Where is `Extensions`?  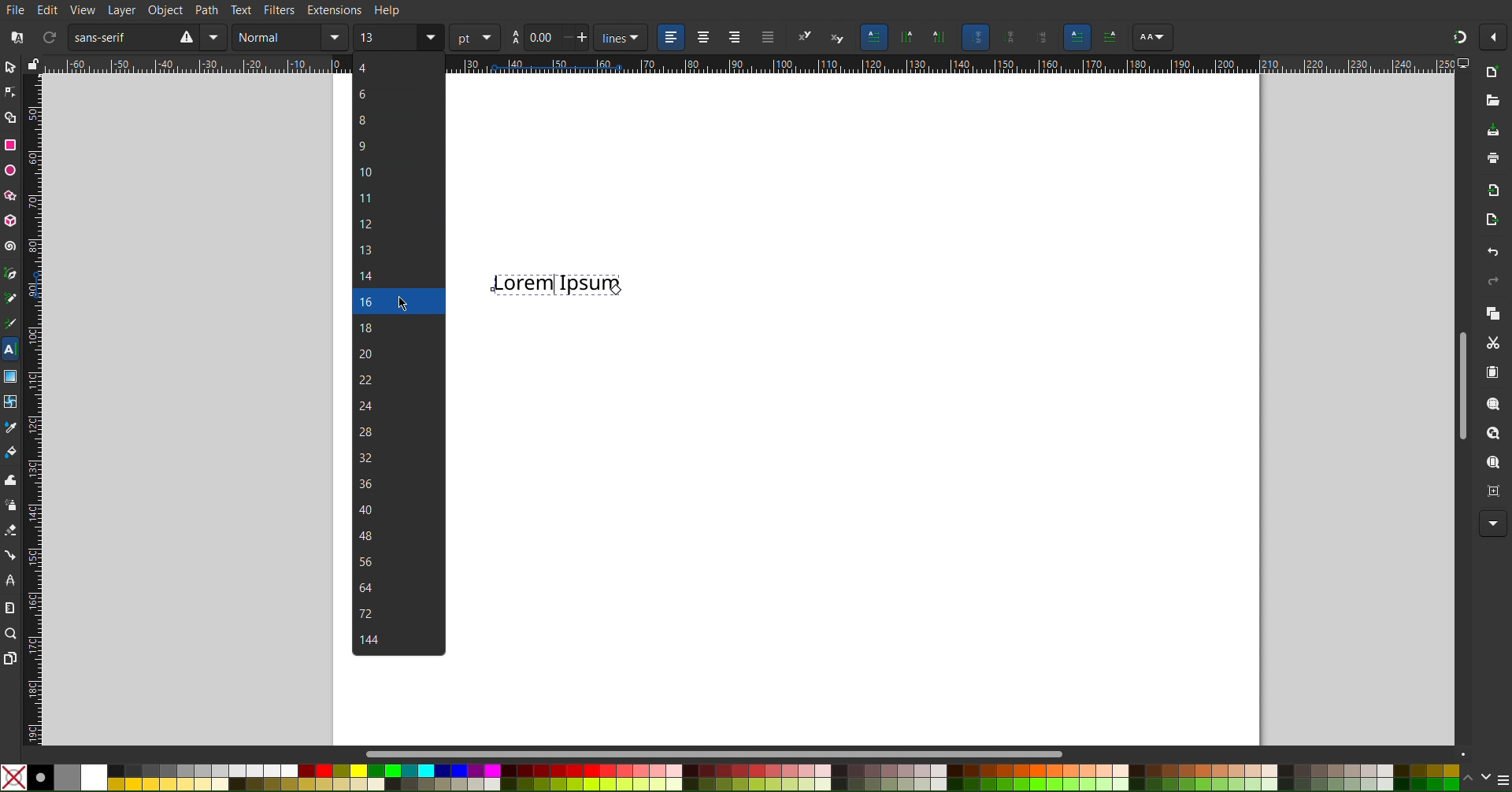 Extensions is located at coordinates (334, 9).